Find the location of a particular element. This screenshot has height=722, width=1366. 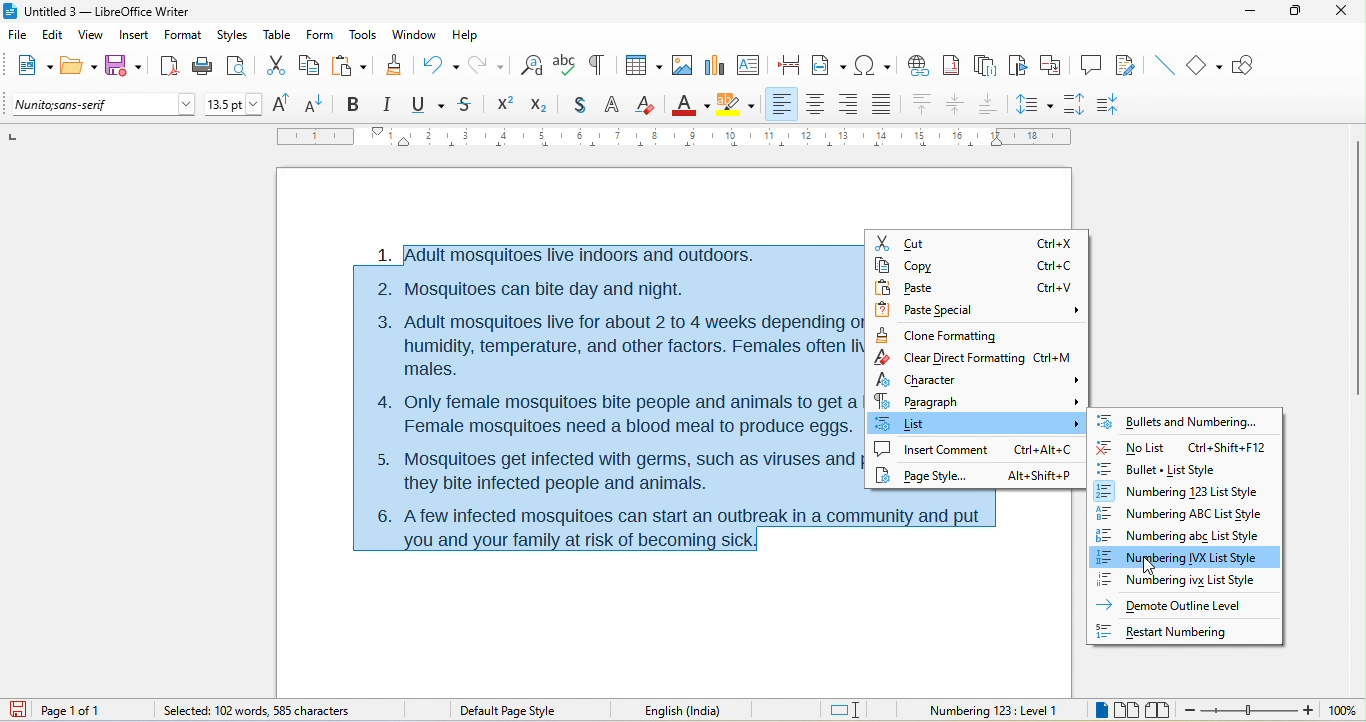

cross reference is located at coordinates (1055, 65).